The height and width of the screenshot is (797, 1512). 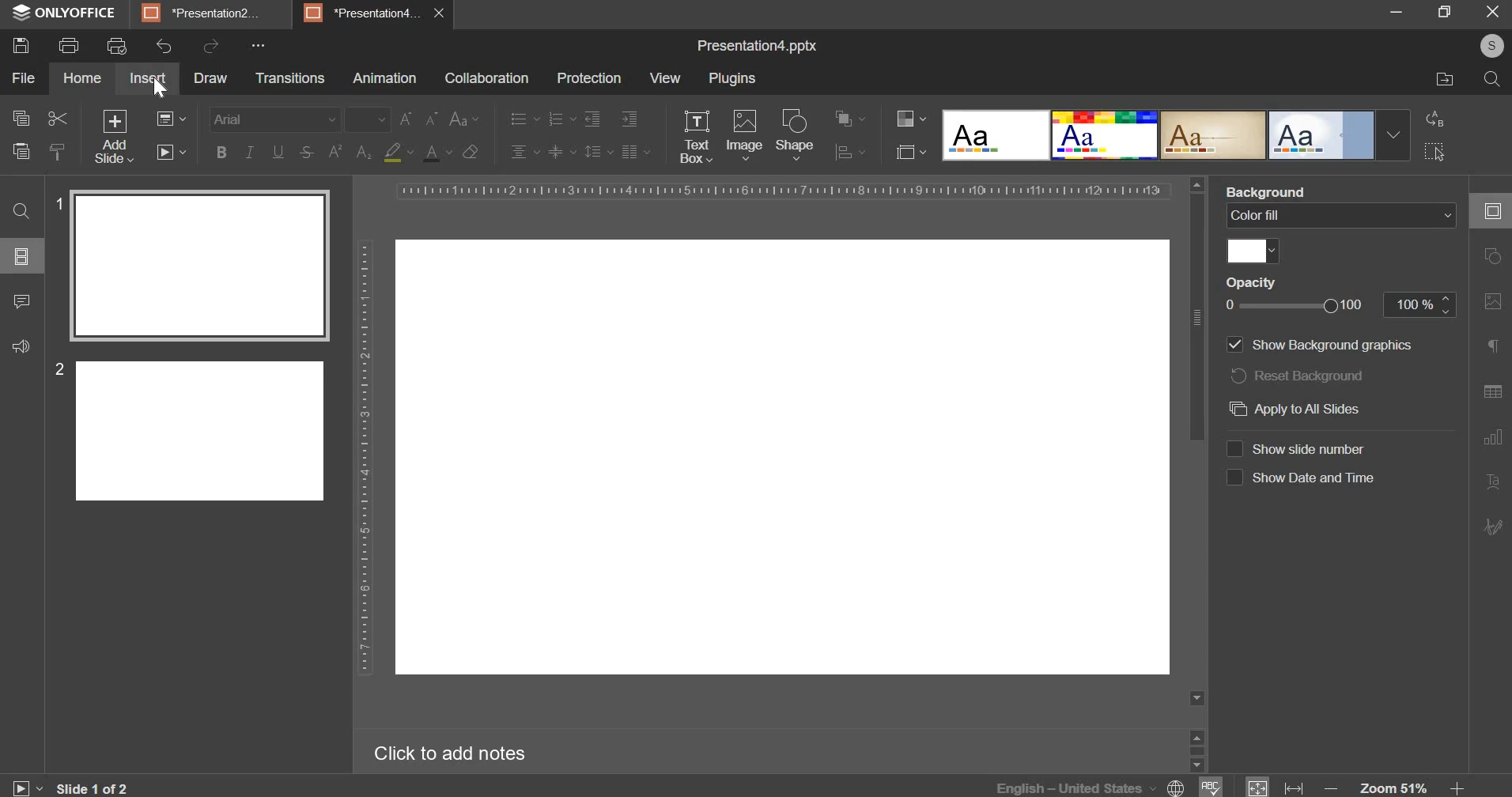 What do you see at coordinates (274, 119) in the screenshot?
I see `font` at bounding box center [274, 119].